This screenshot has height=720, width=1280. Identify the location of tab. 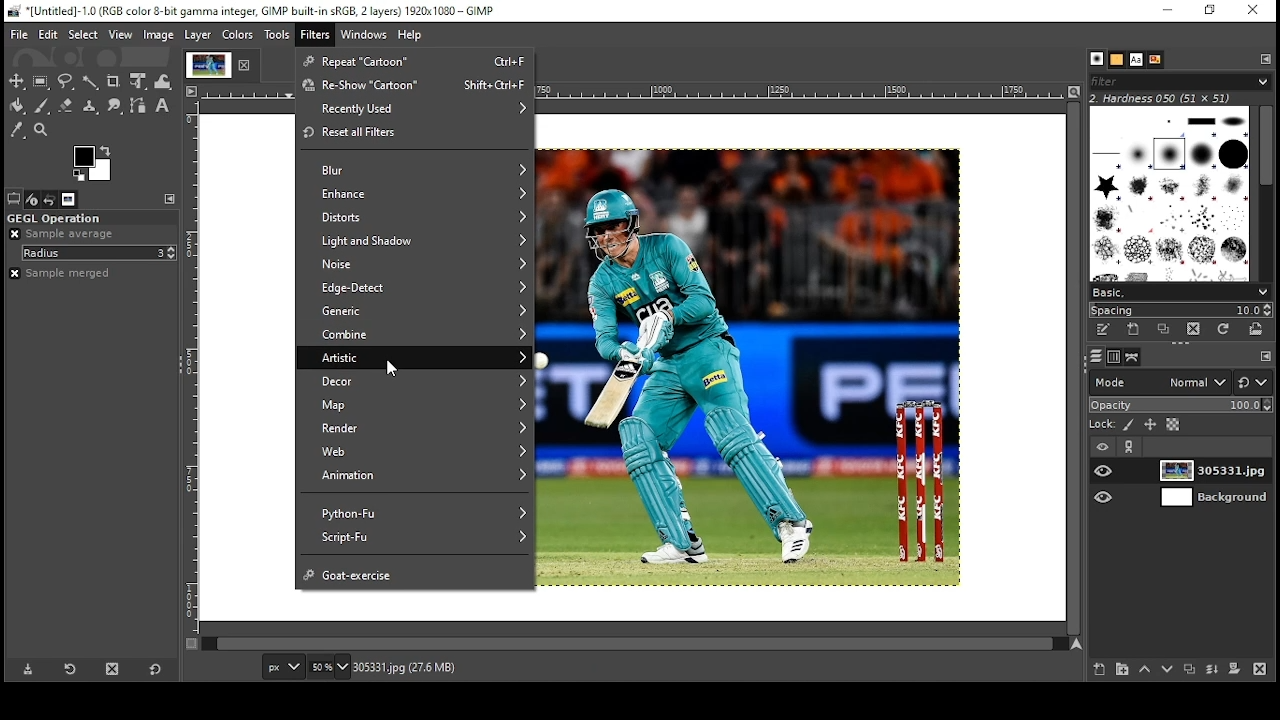
(206, 65).